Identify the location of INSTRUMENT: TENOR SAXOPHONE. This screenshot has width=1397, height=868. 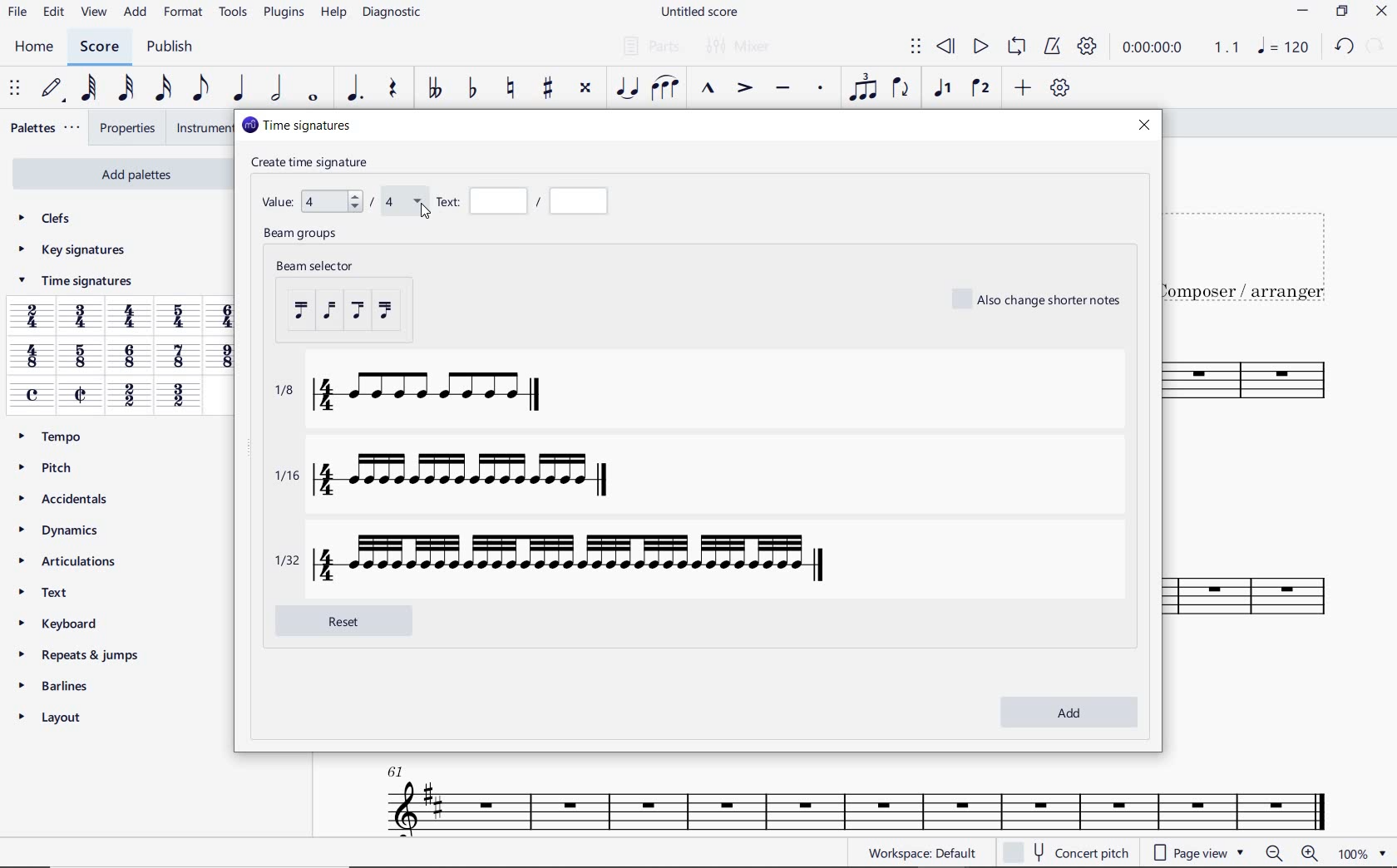
(1256, 502).